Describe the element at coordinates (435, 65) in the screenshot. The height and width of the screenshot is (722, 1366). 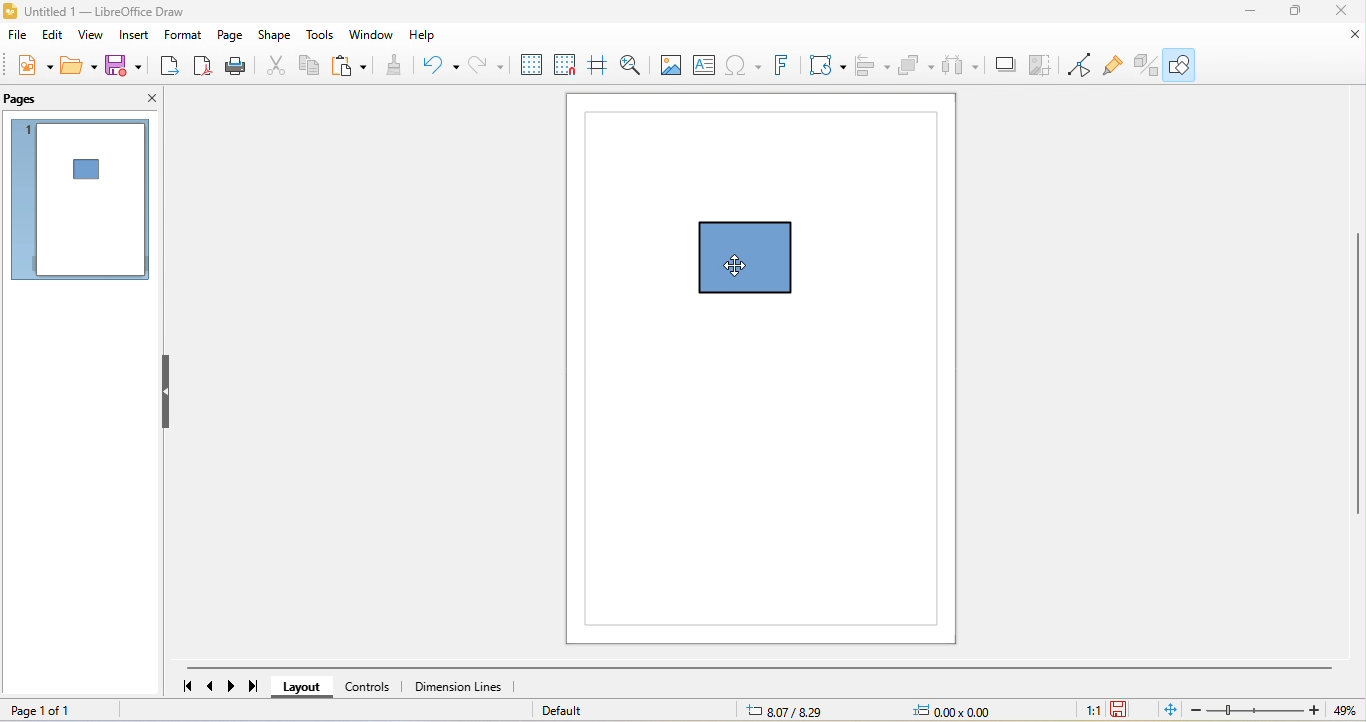
I see `undo` at that location.